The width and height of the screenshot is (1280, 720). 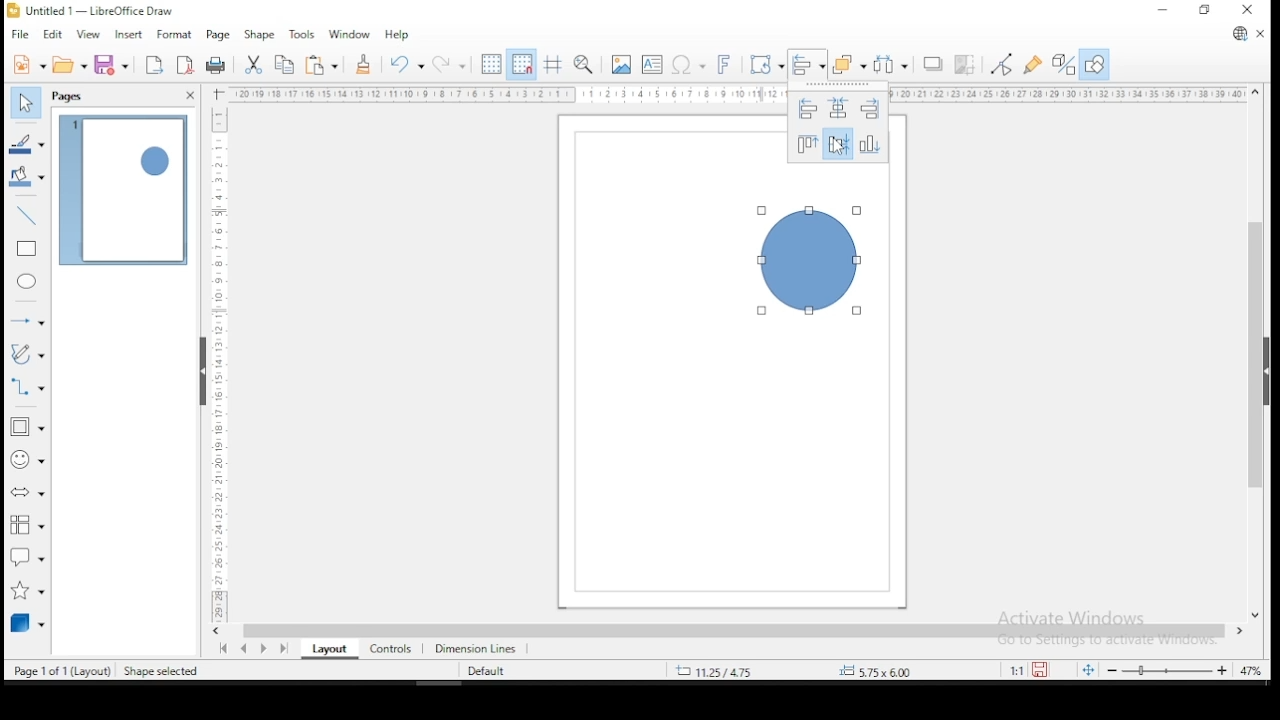 I want to click on insert line, so click(x=27, y=213).